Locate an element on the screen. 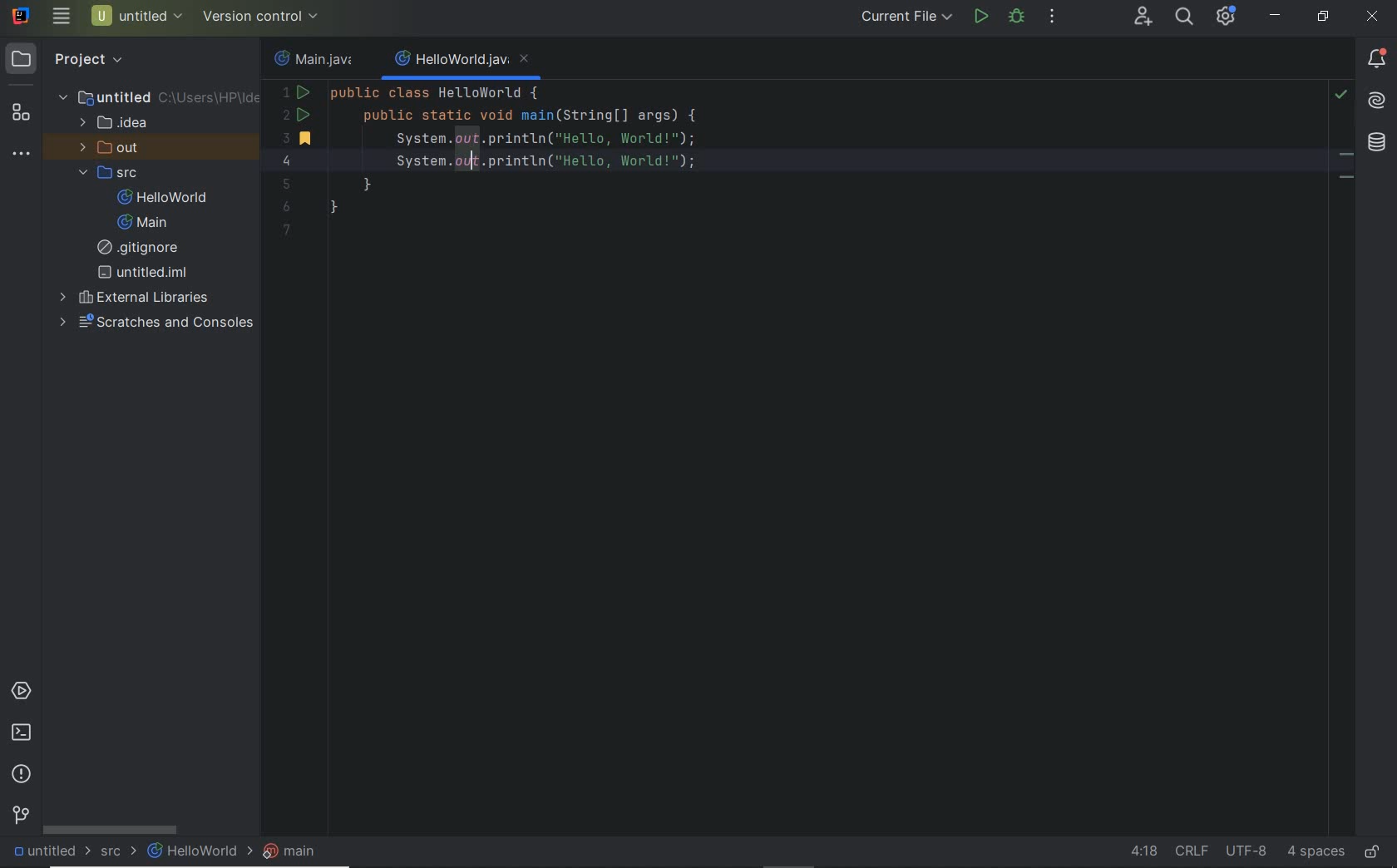 This screenshot has width=1397, height=868. out is located at coordinates (106, 149).